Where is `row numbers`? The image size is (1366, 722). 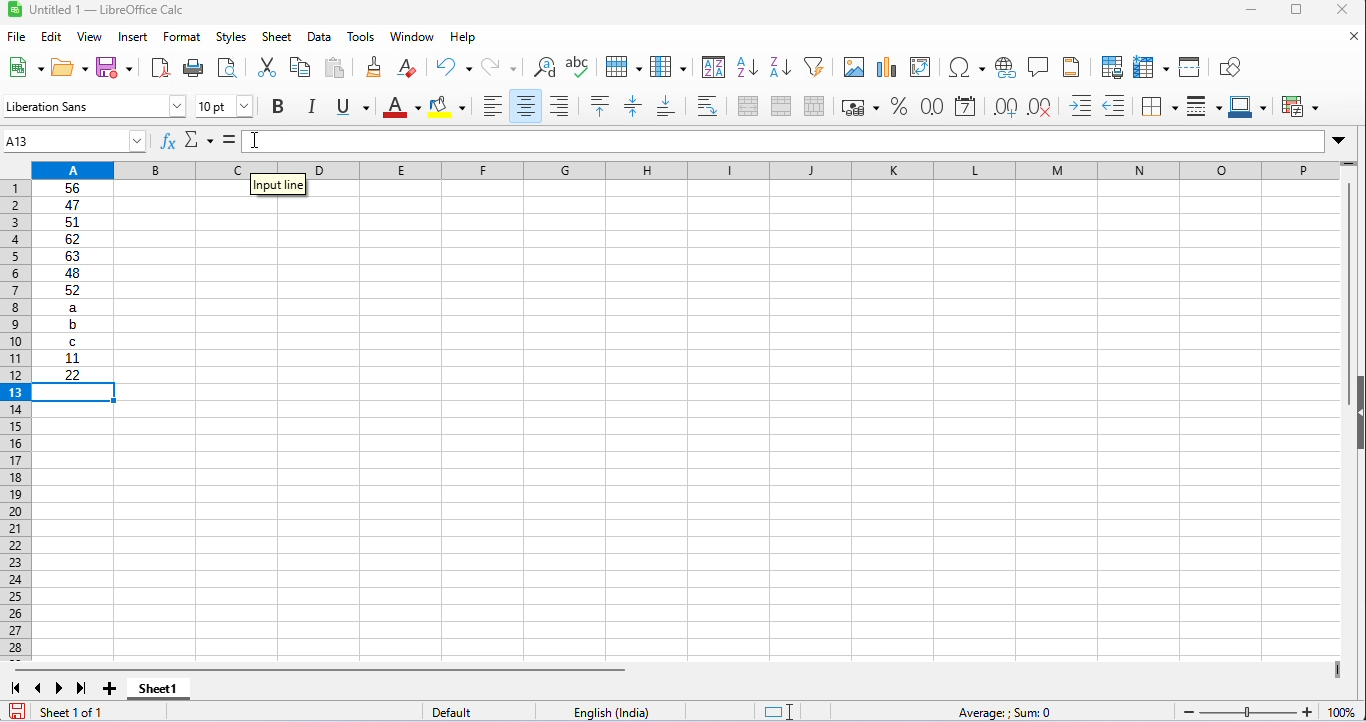 row numbers is located at coordinates (17, 421).